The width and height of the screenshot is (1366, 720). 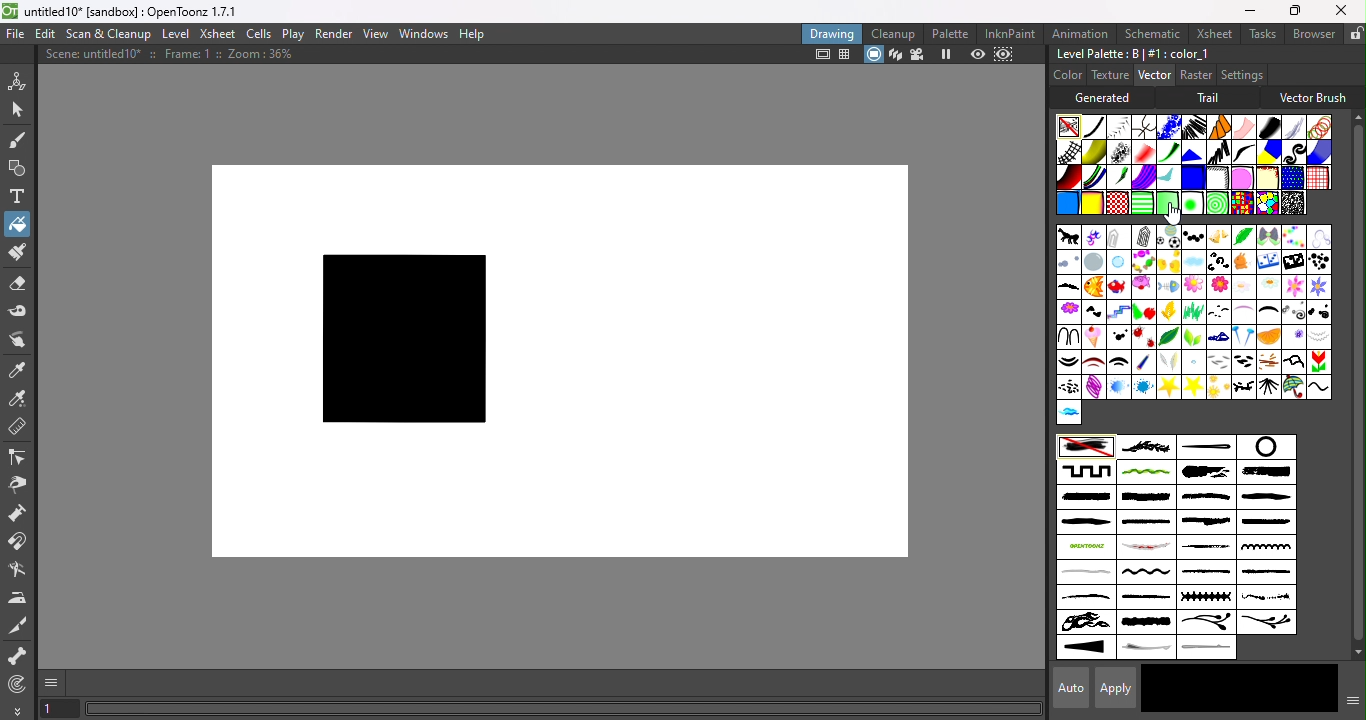 I want to click on rice, so click(x=1244, y=361).